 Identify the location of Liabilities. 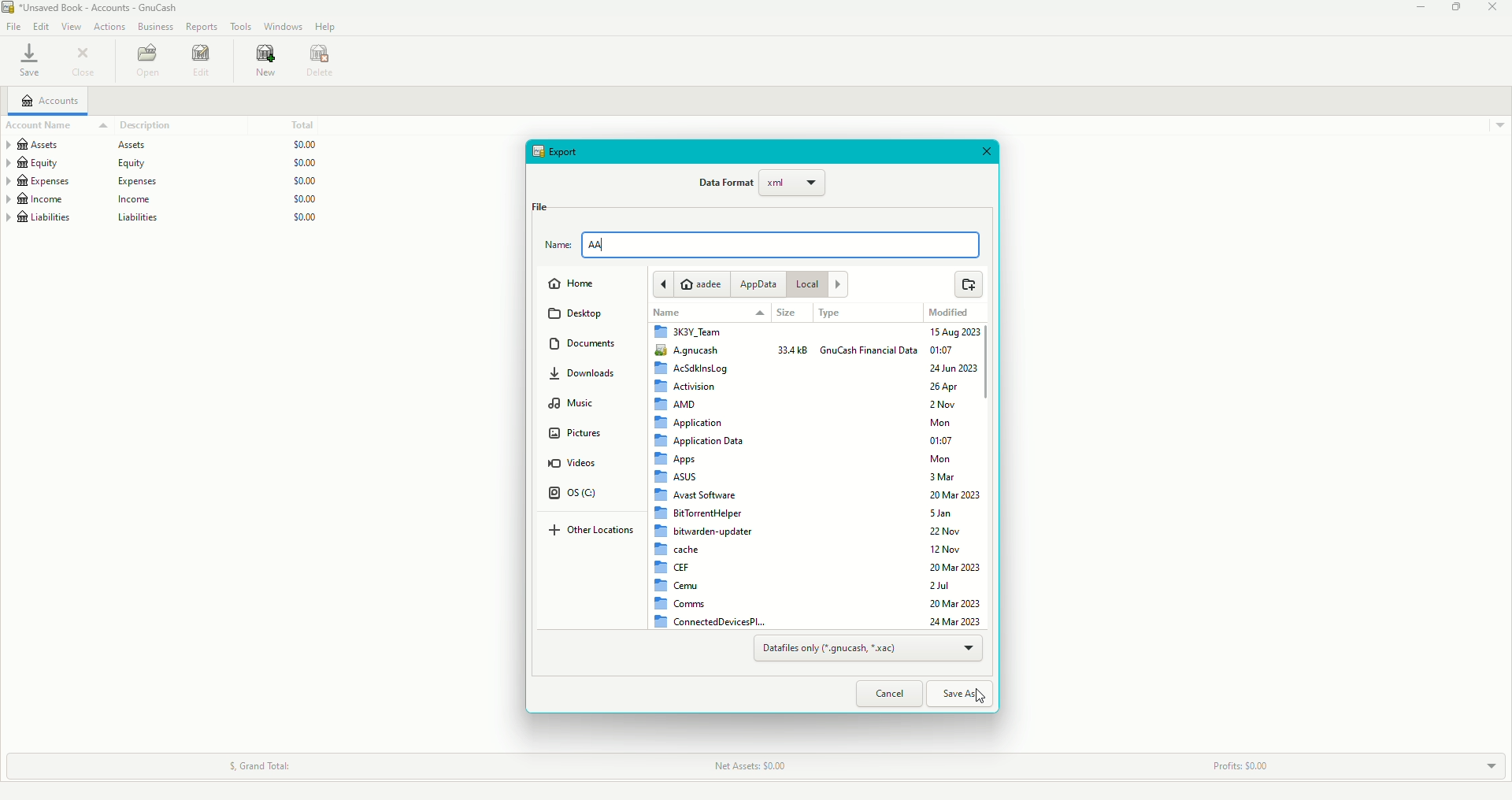
(165, 220).